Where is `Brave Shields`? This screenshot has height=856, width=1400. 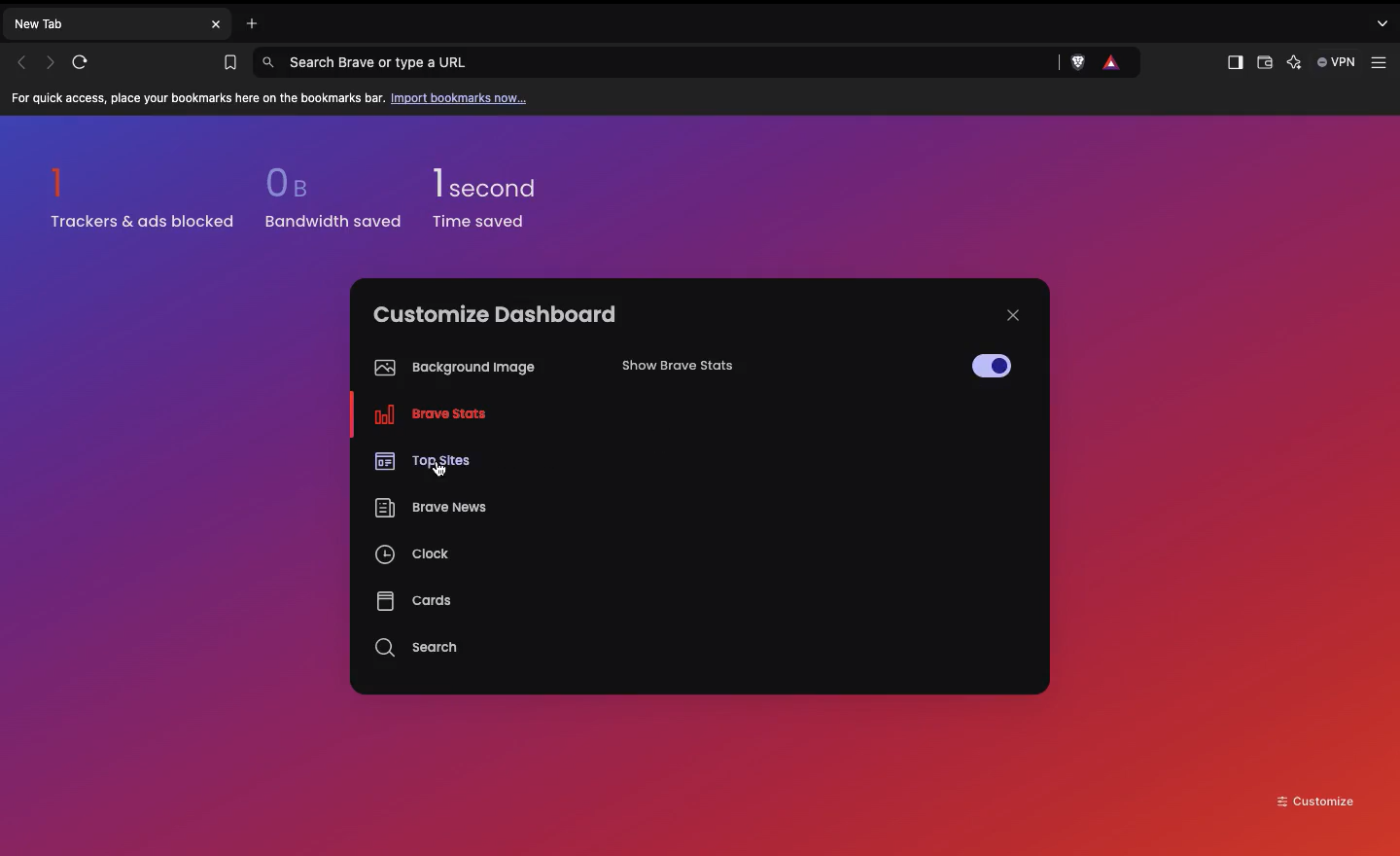 Brave Shields is located at coordinates (1080, 63).